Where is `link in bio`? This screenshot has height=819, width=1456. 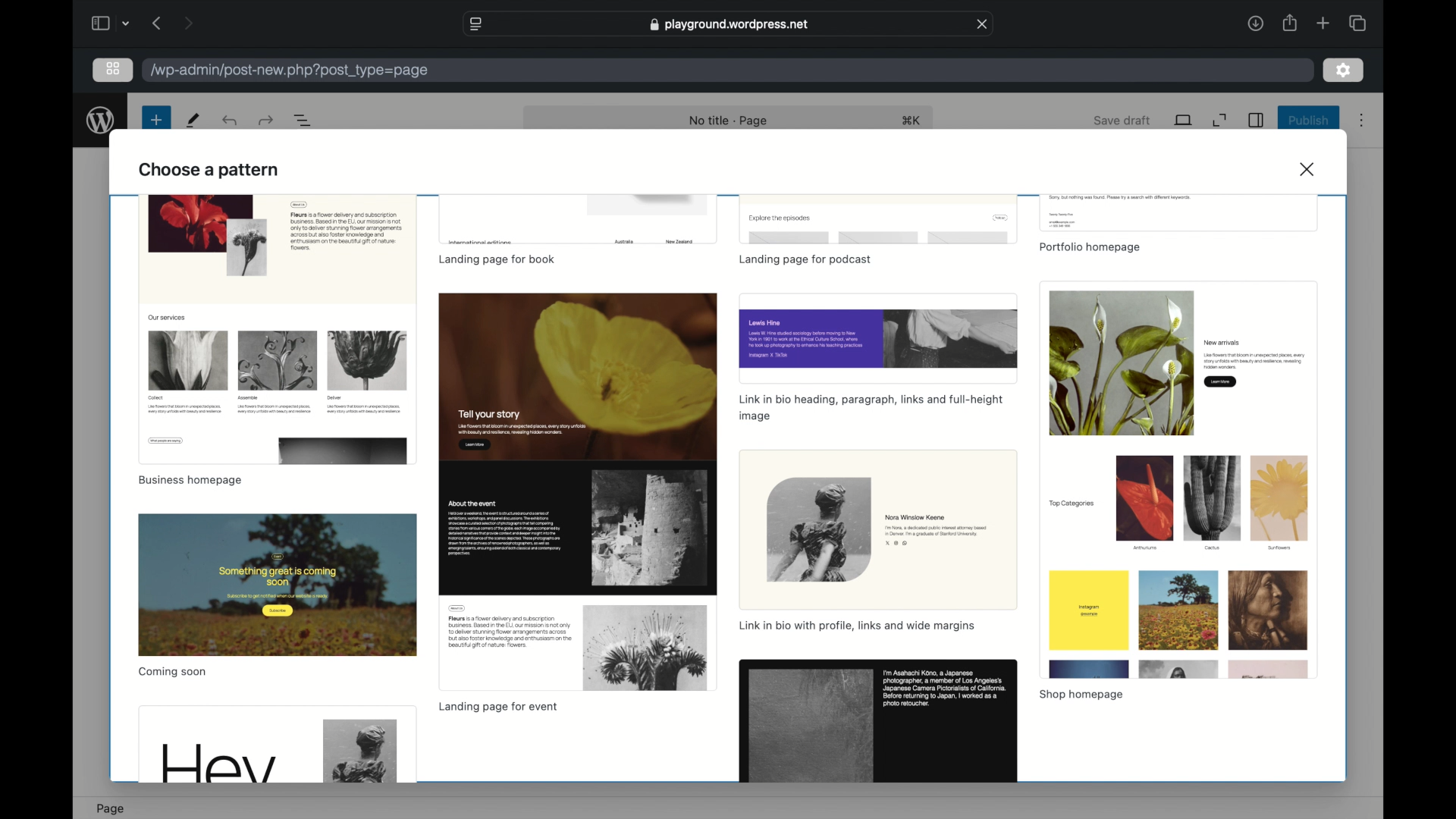
link in bio is located at coordinates (856, 626).